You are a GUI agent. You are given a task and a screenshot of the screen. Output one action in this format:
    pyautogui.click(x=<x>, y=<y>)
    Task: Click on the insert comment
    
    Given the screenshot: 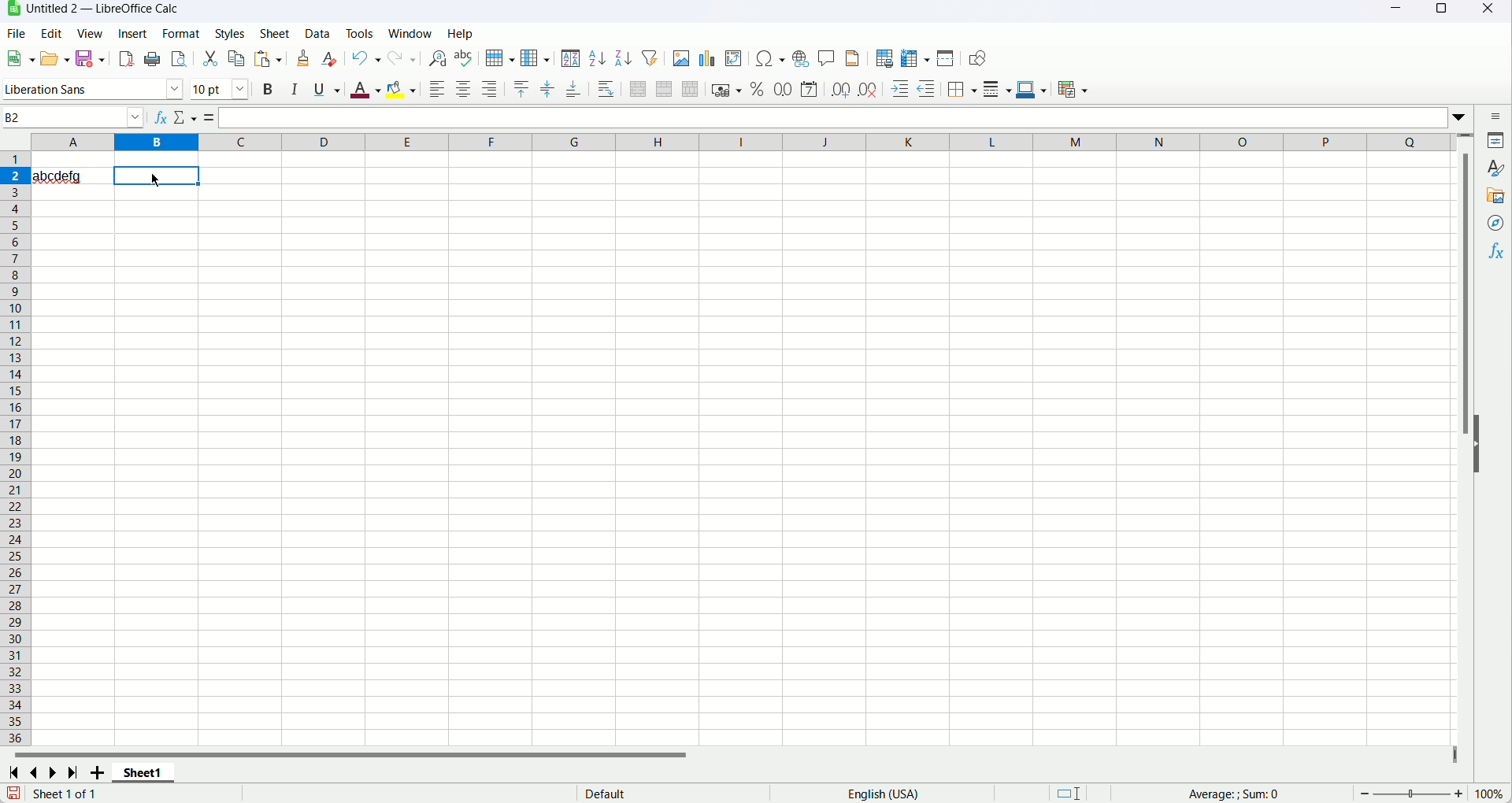 What is the action you would take?
    pyautogui.click(x=828, y=57)
    